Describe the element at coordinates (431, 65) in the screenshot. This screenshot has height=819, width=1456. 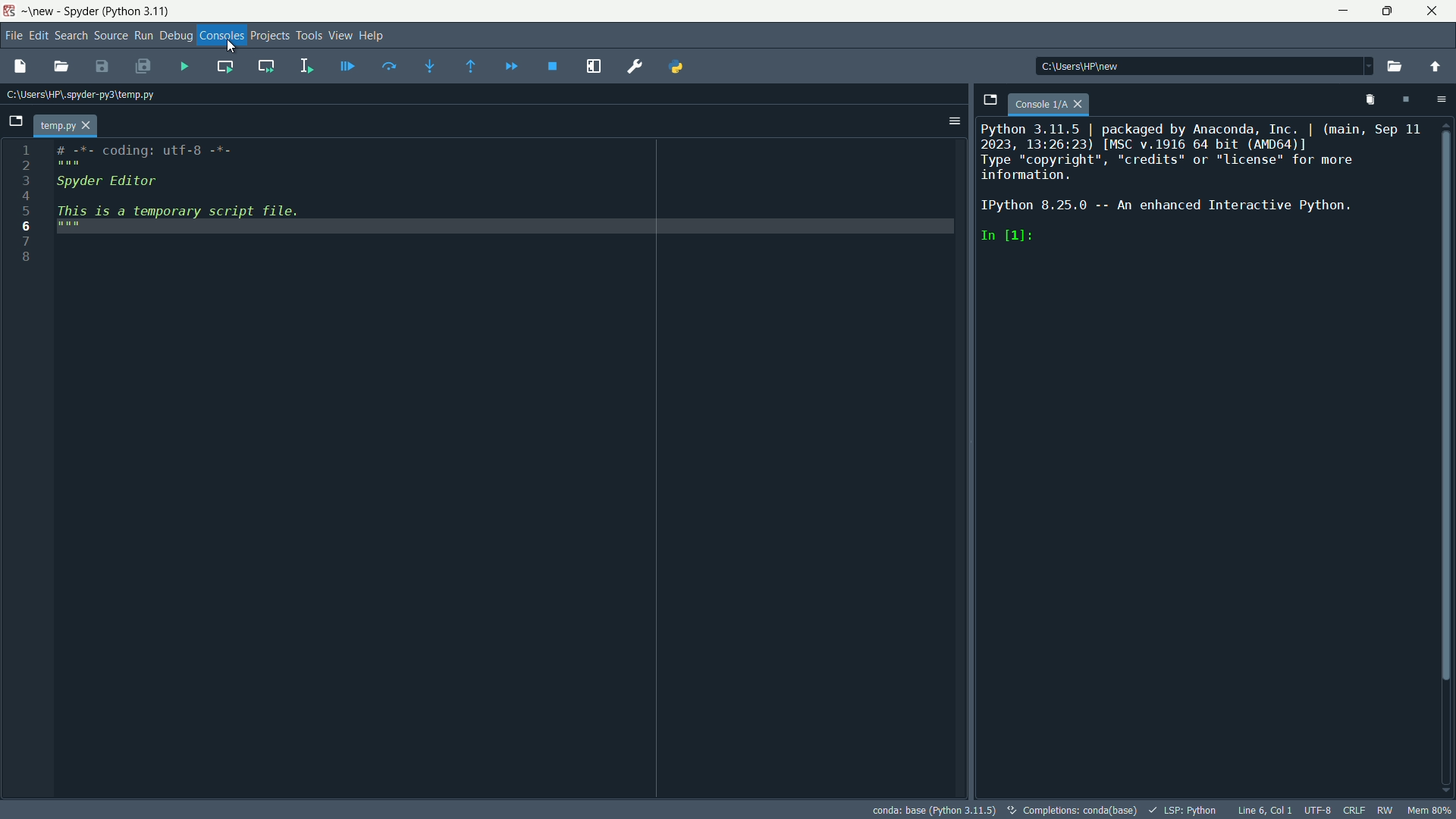
I see `step into funtion or method` at that location.